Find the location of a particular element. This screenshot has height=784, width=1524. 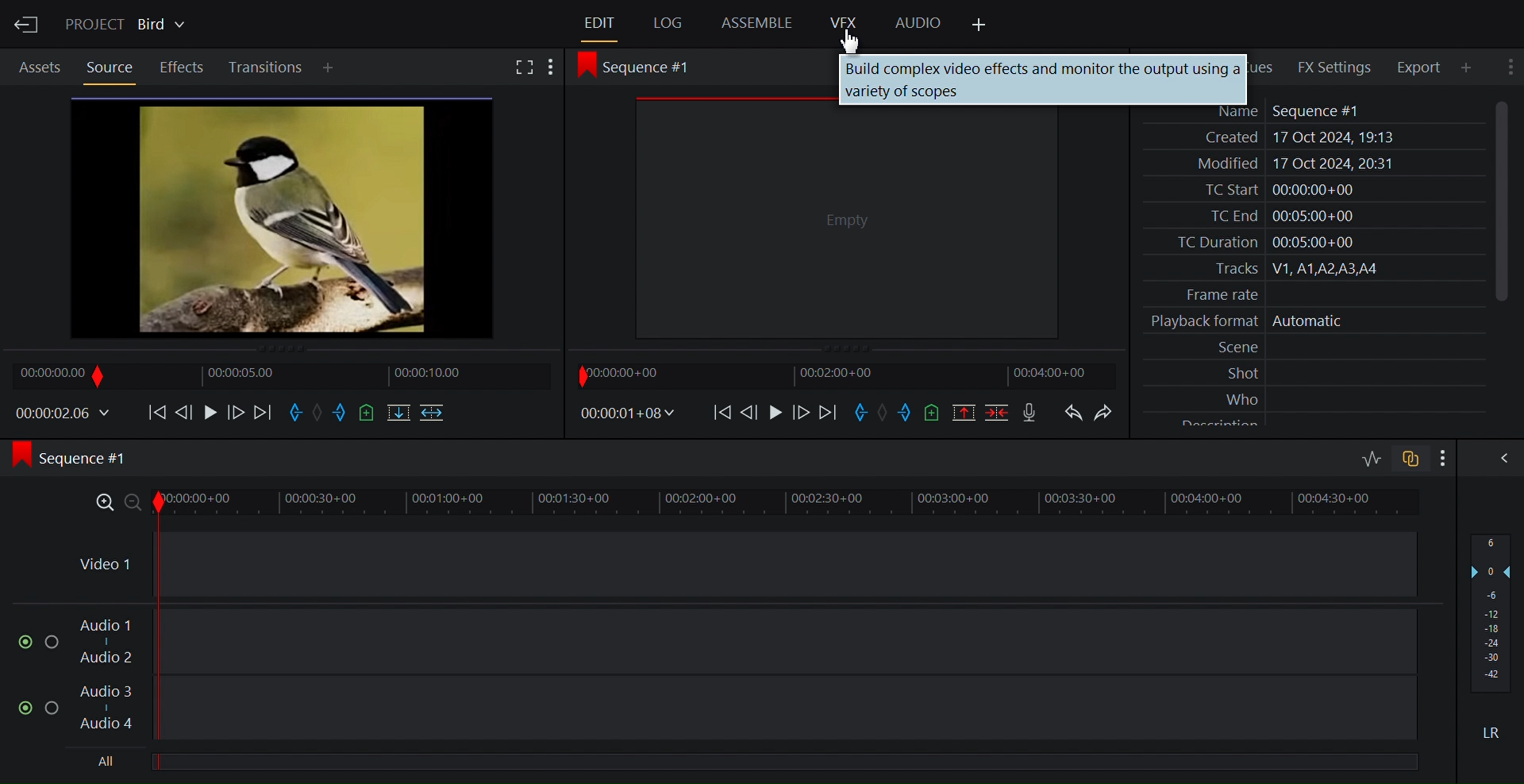

Solo this track is located at coordinates (54, 705).